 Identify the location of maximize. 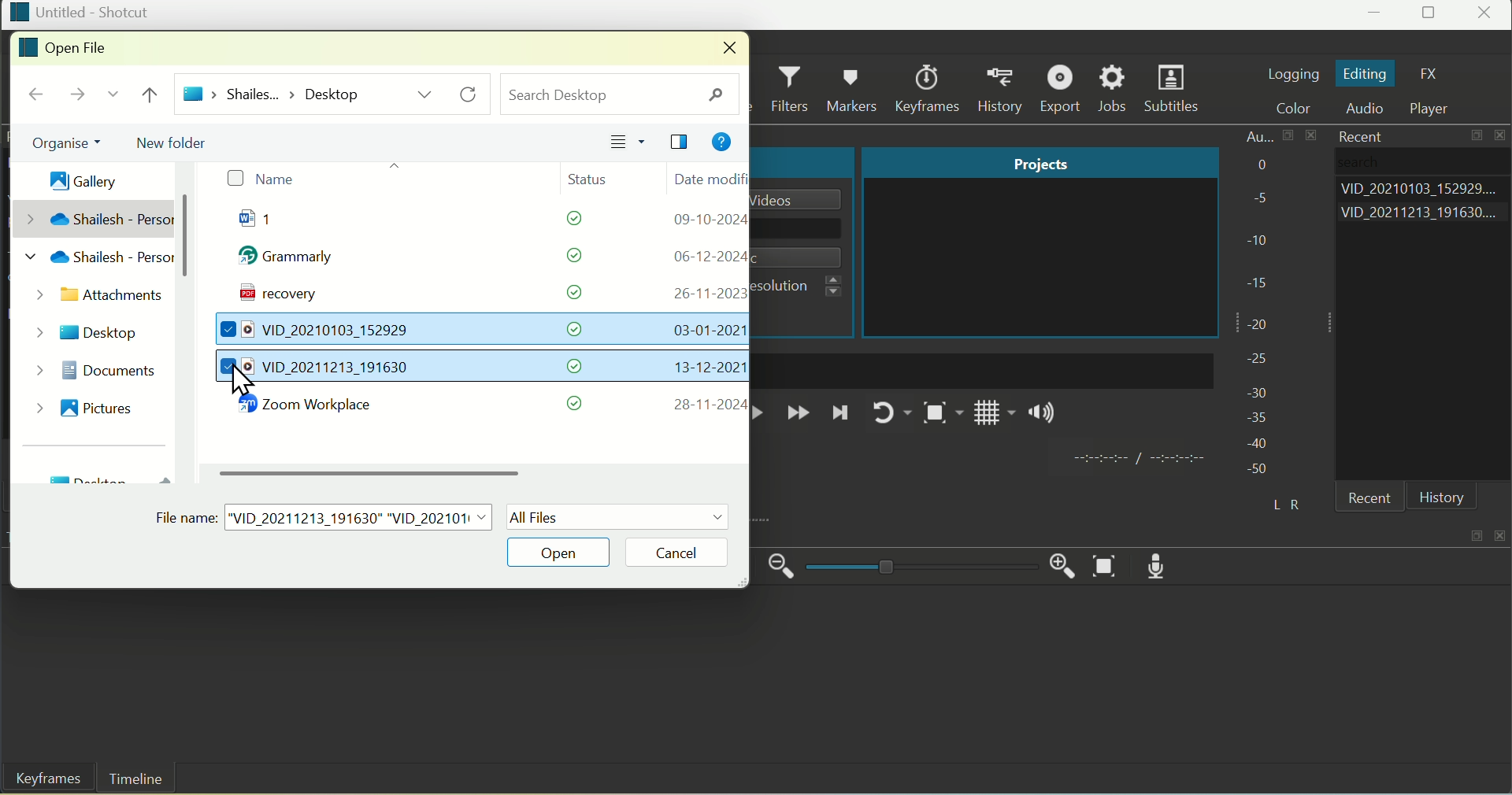
(1475, 534).